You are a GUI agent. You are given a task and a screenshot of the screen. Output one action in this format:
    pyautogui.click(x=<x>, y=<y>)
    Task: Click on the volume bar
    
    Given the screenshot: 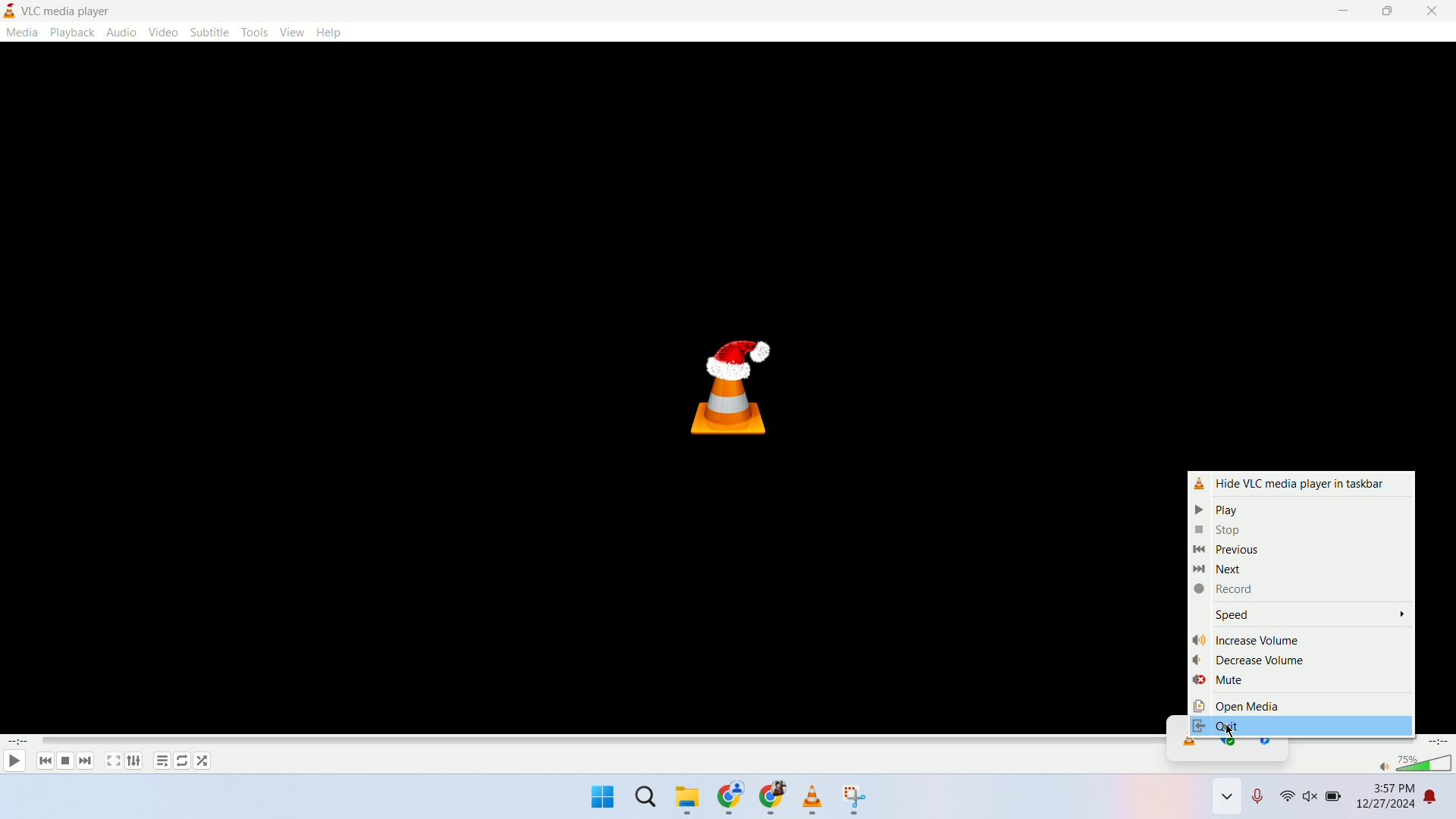 What is the action you would take?
    pyautogui.click(x=1426, y=764)
    